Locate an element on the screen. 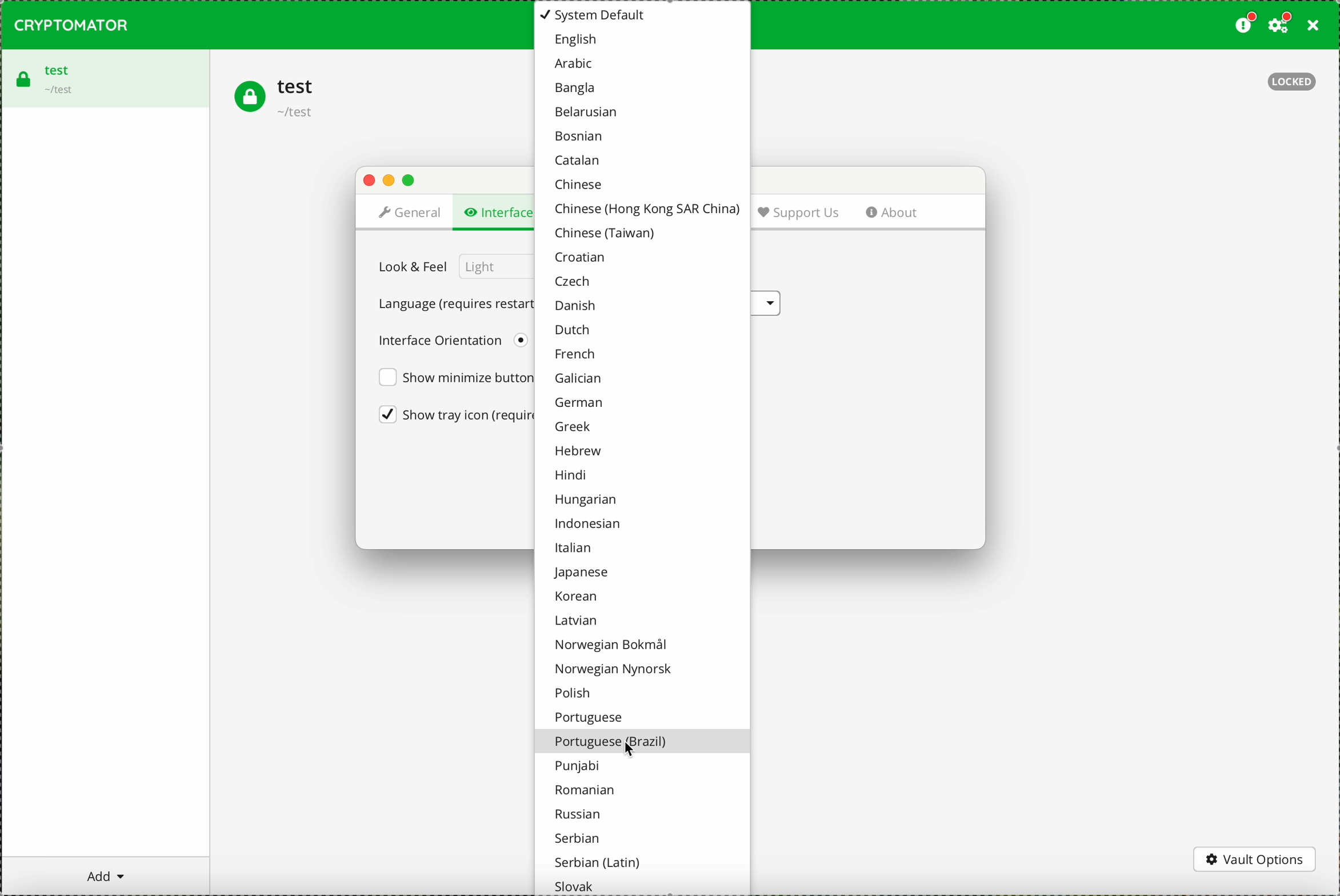  norwegian nynorsk is located at coordinates (617, 670).